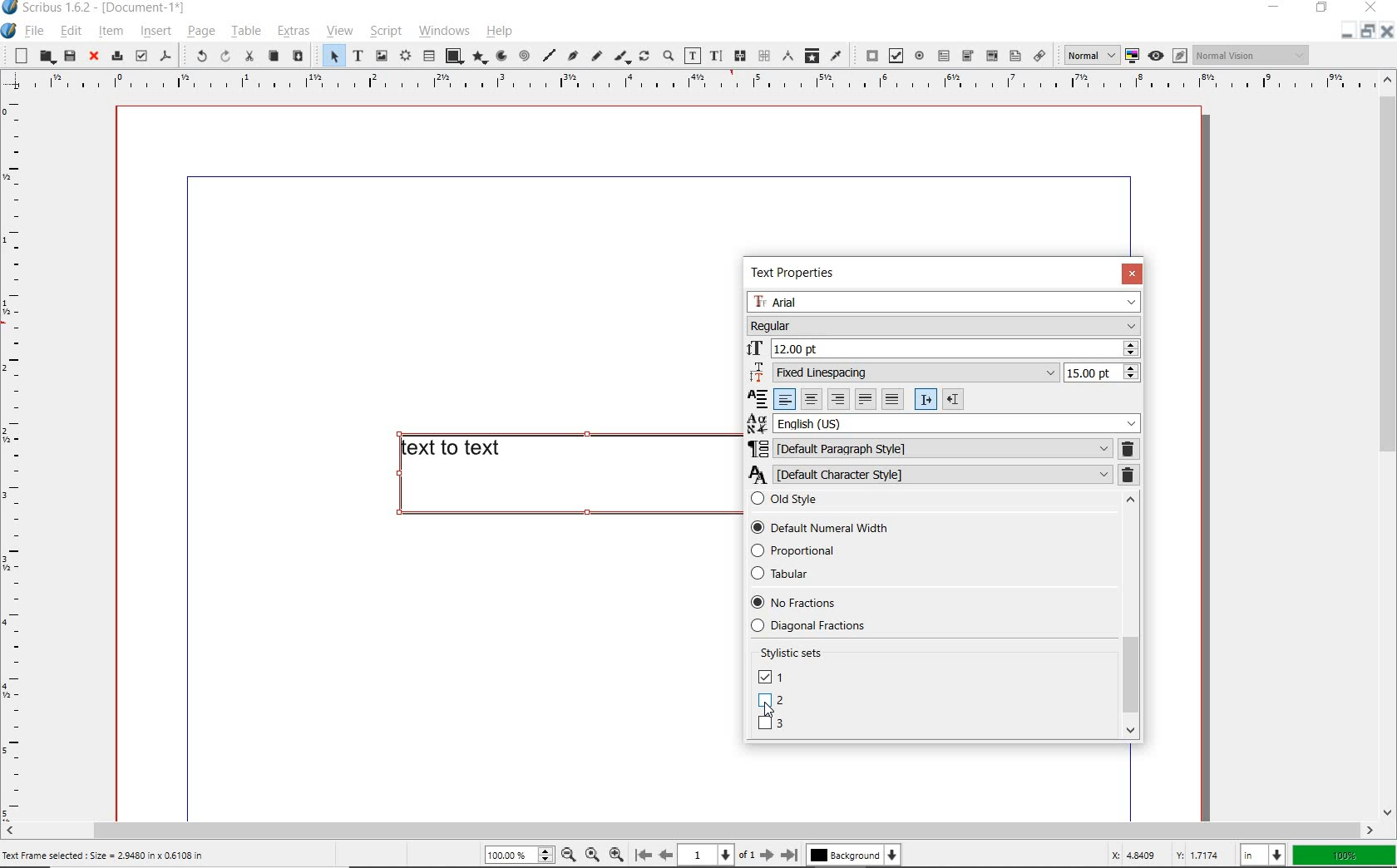 This screenshot has height=868, width=1397. I want to click on Next page, so click(766, 855).